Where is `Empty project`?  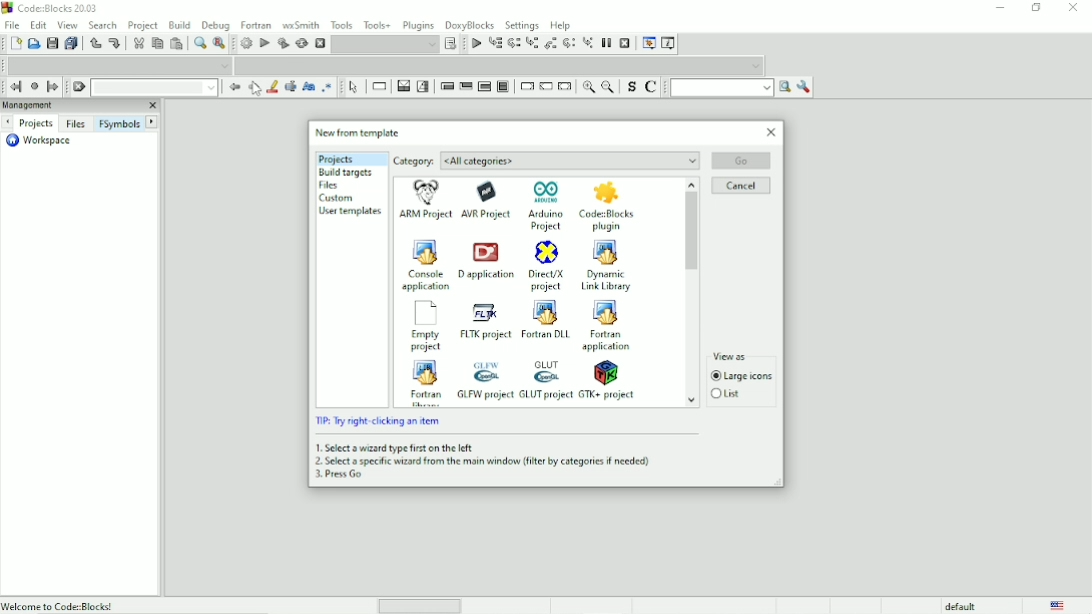
Empty project is located at coordinates (425, 326).